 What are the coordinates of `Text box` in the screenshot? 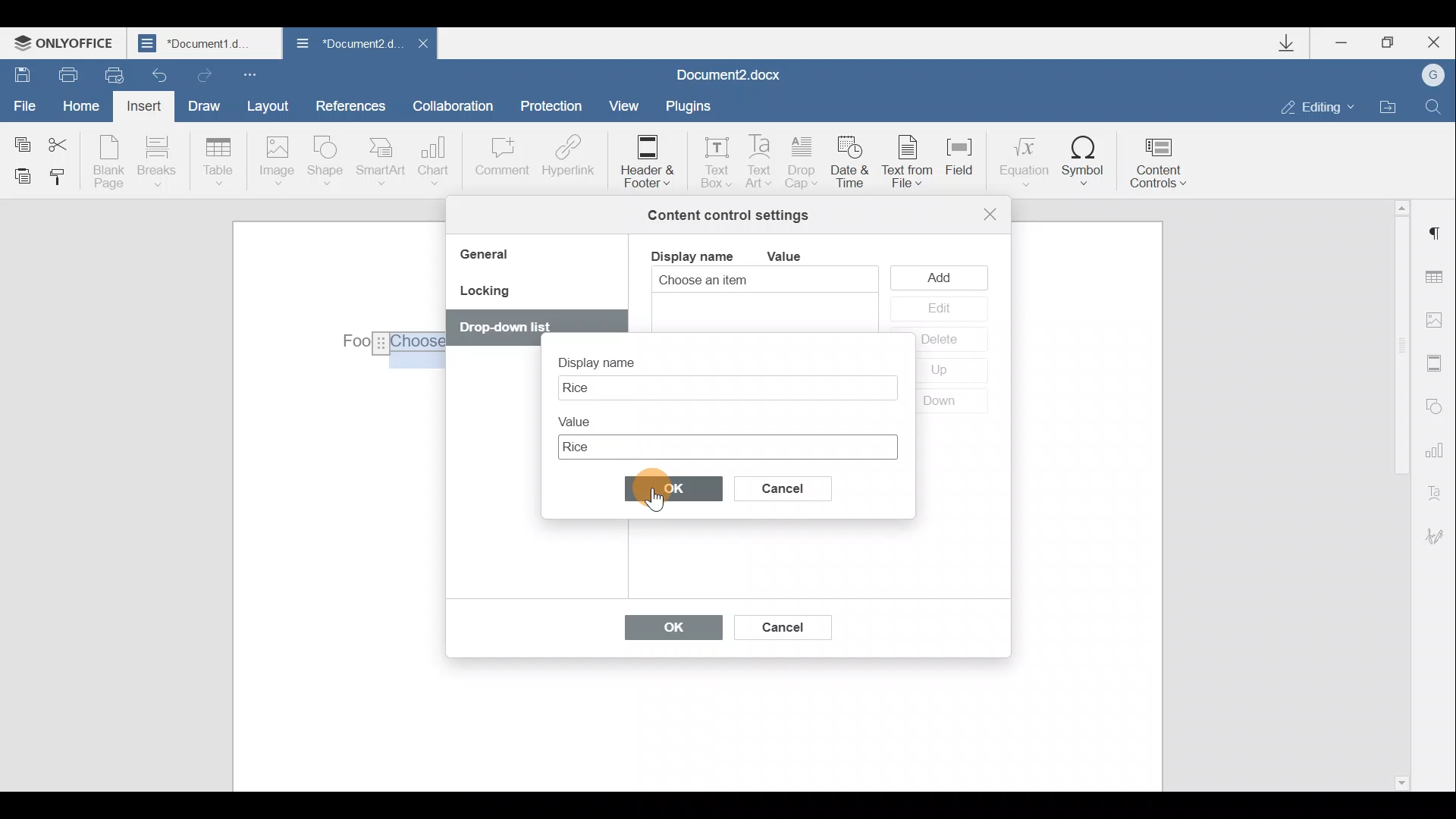 It's located at (726, 444).